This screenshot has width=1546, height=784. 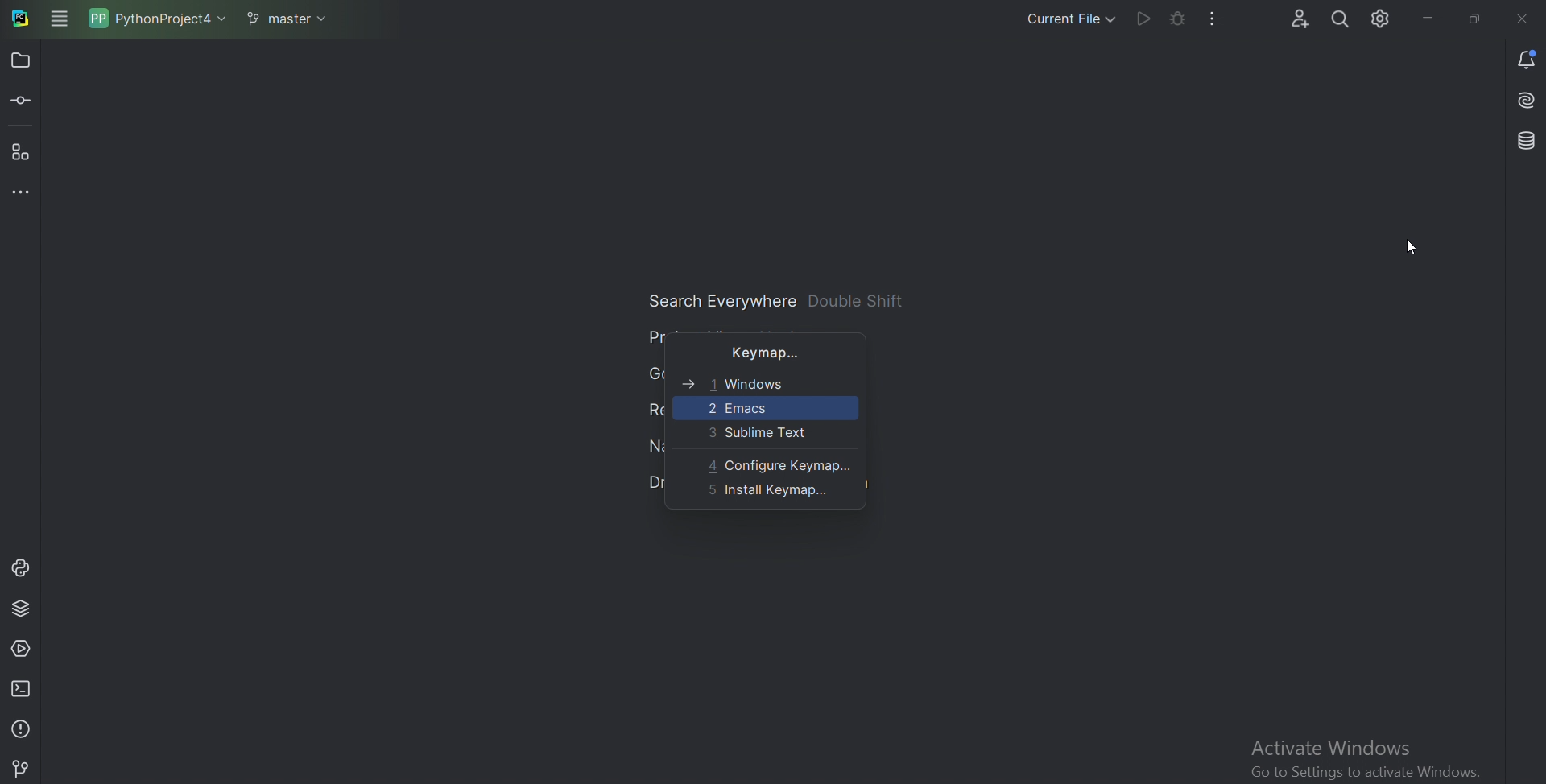 I want to click on More actions, so click(x=1214, y=18).